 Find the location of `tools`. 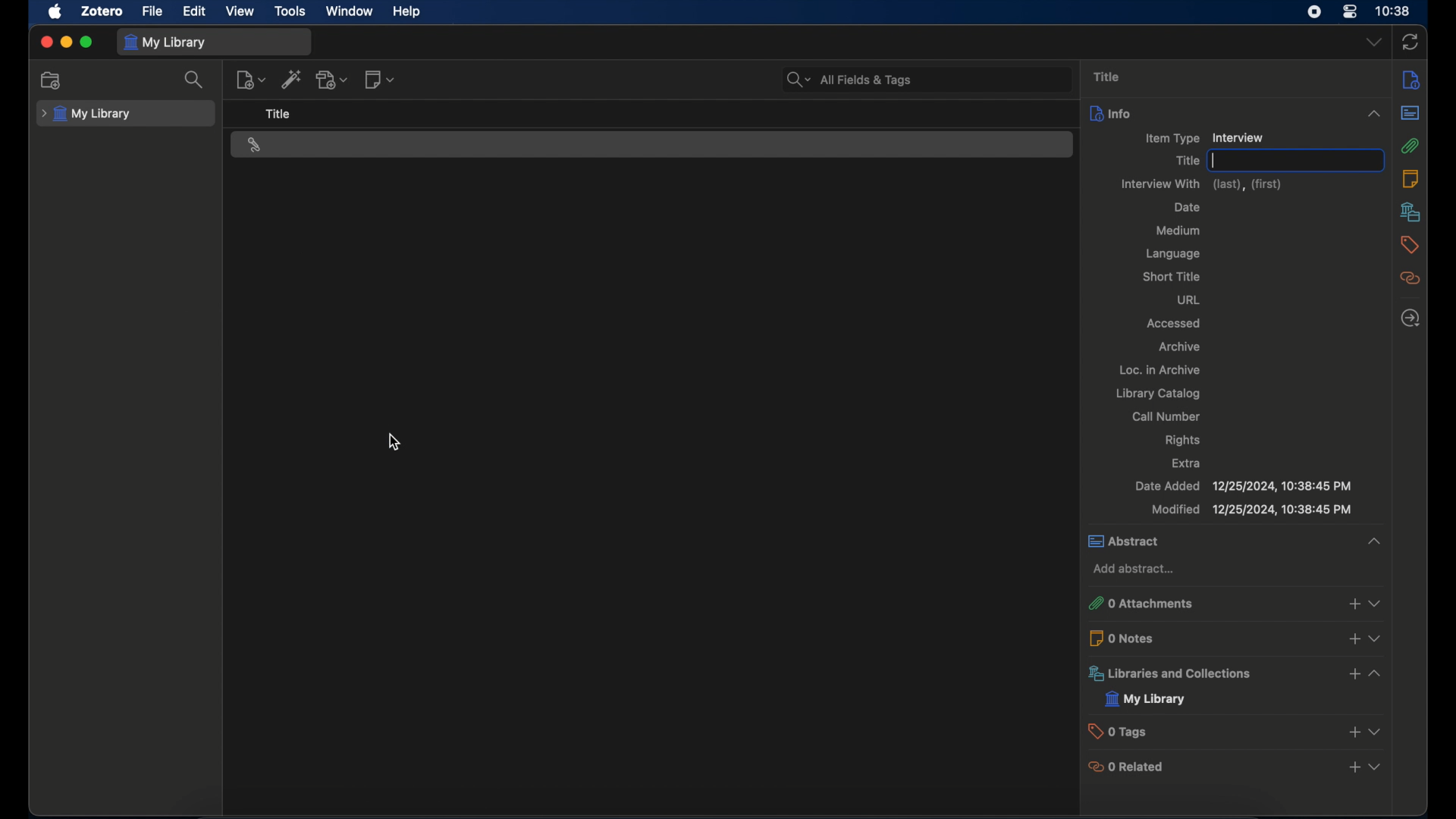

tools is located at coordinates (291, 12).